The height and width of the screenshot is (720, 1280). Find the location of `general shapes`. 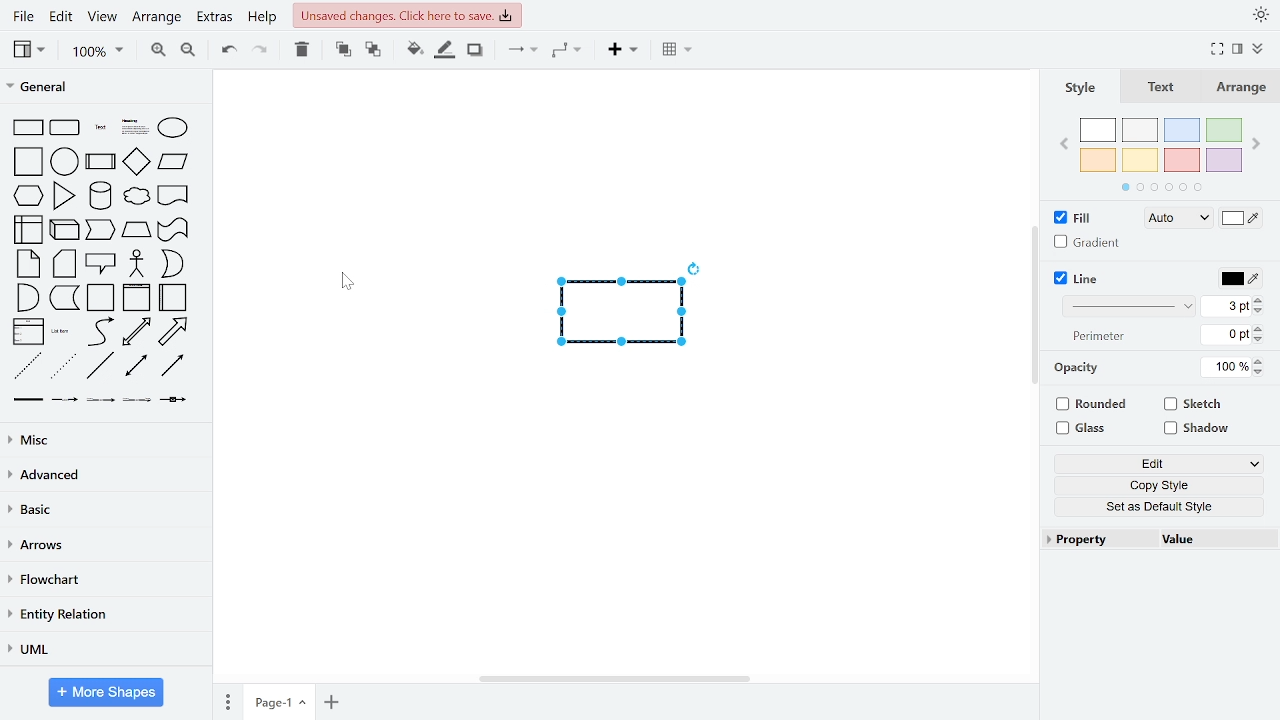

general shapes is located at coordinates (29, 398).